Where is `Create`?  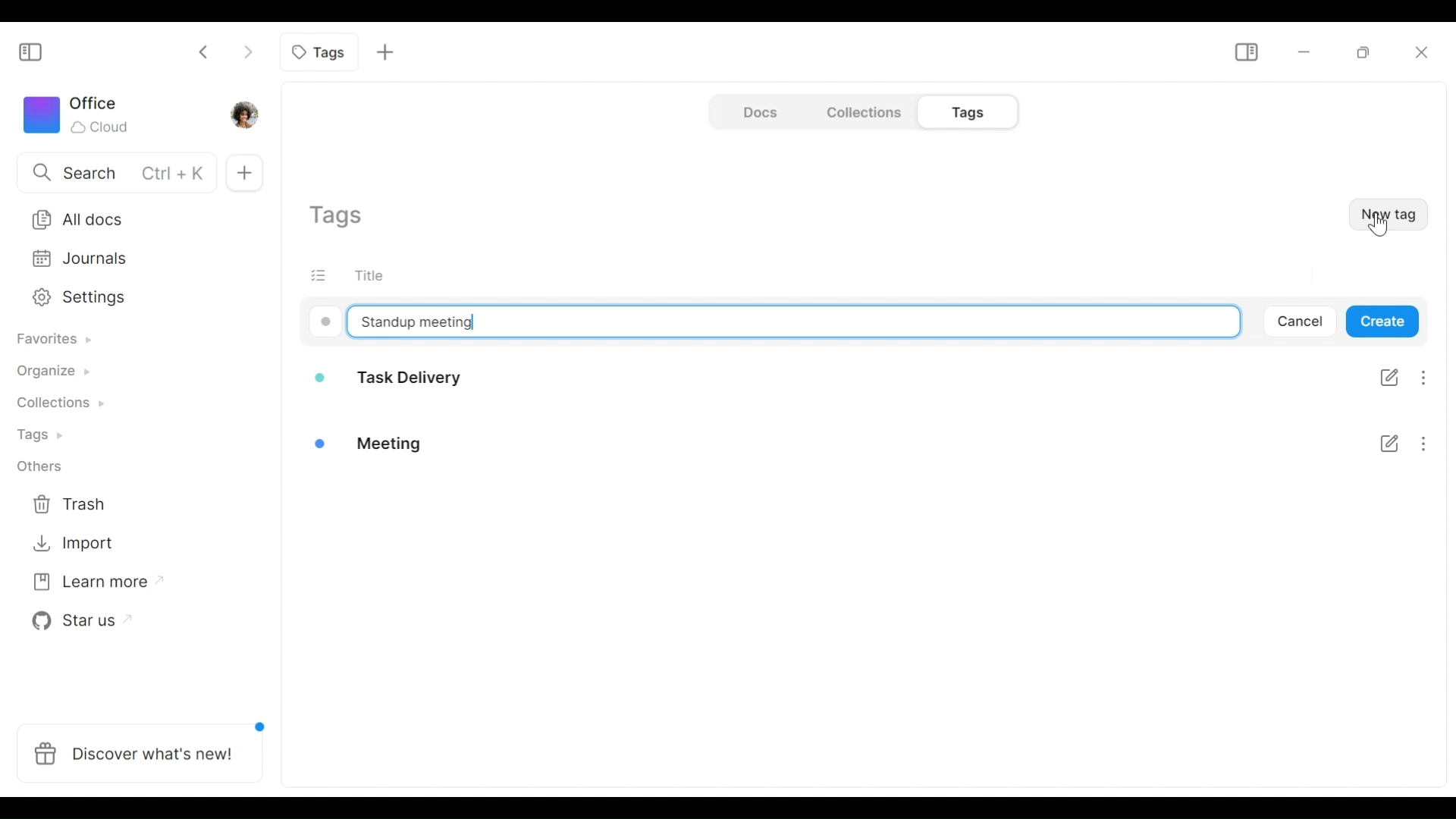 Create is located at coordinates (1382, 323).